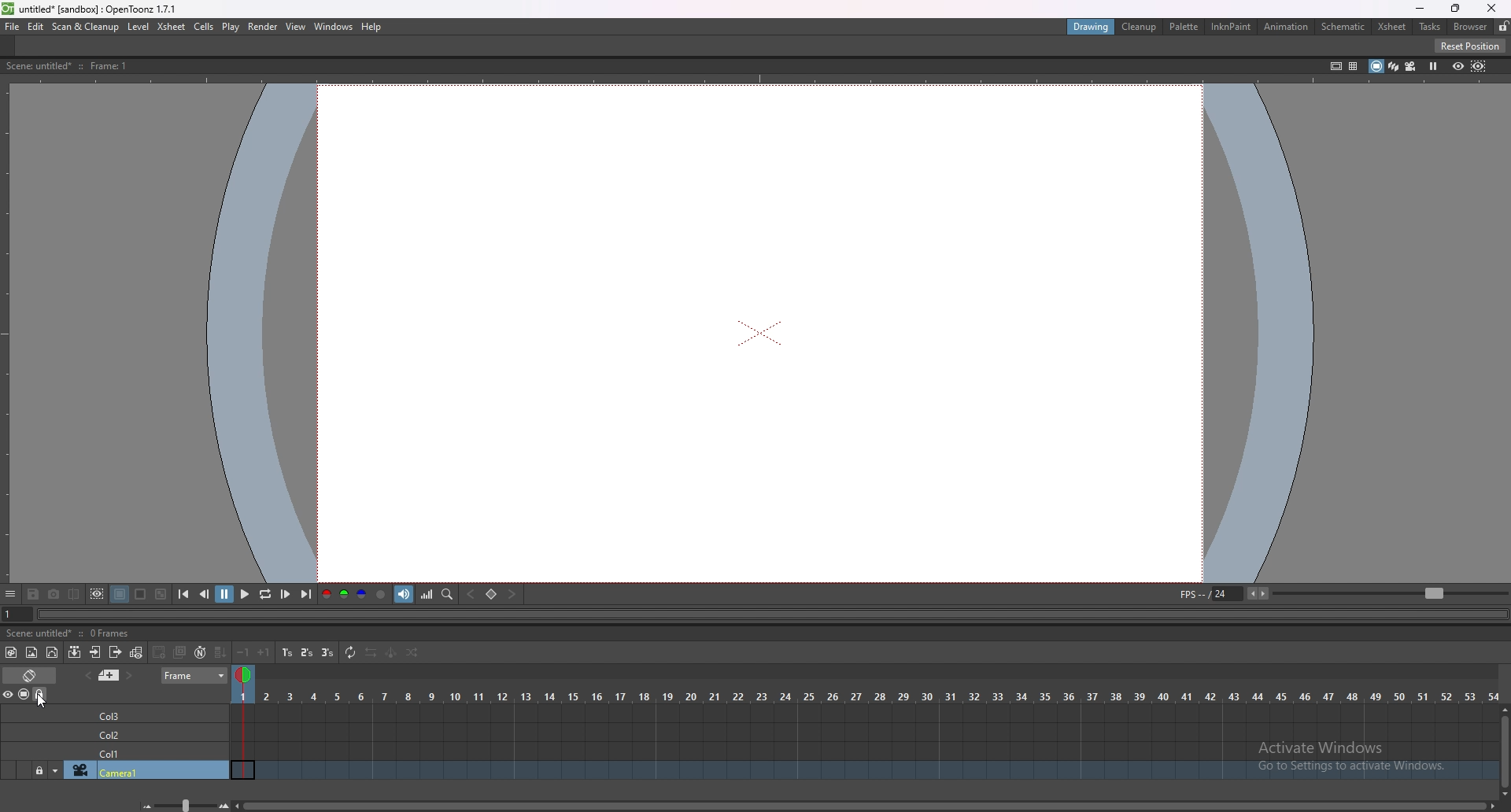 This screenshot has width=1511, height=812. Describe the element at coordinates (95, 652) in the screenshot. I see `open sub xsheet` at that location.